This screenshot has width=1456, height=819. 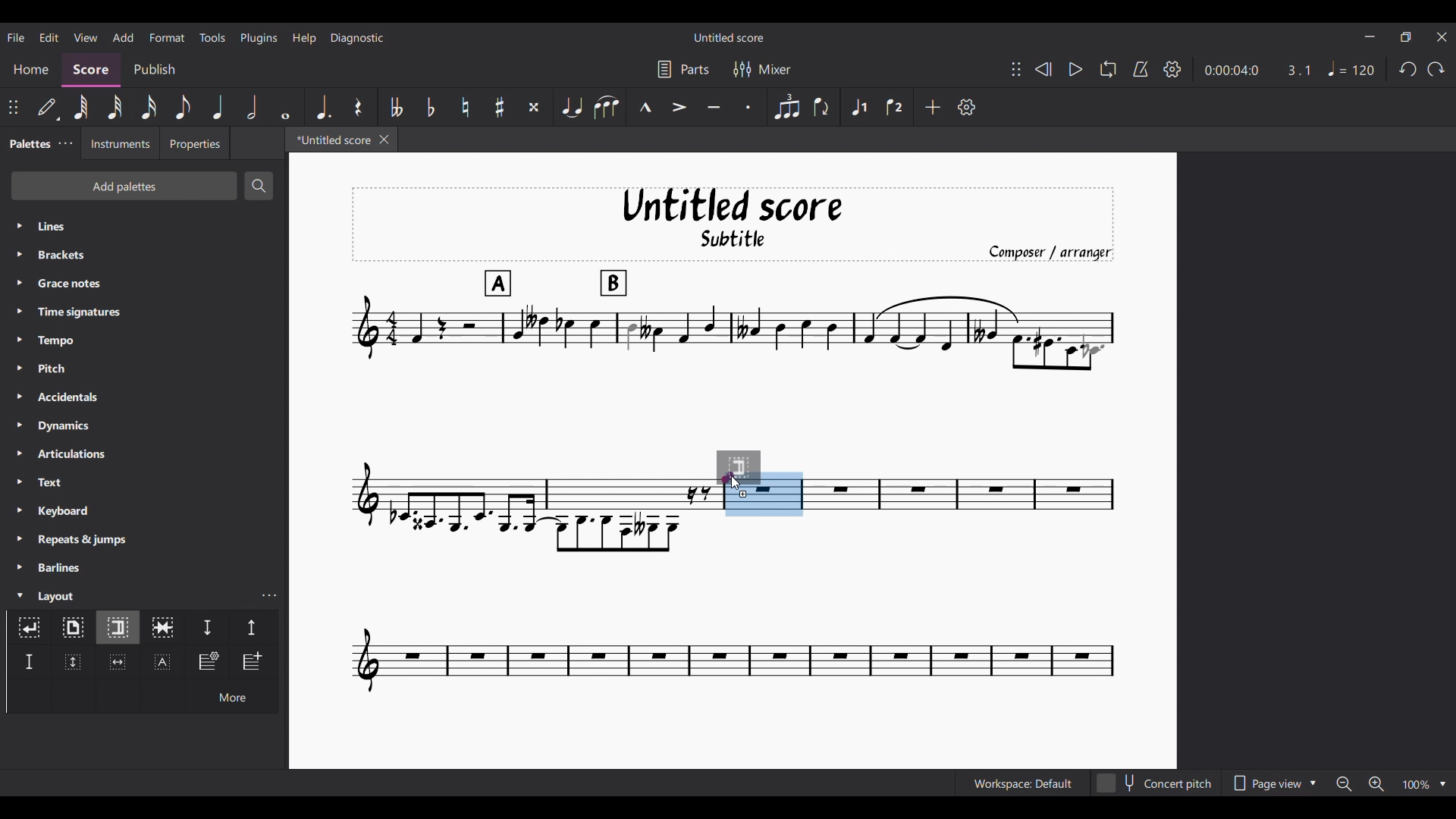 I want to click on File menu, so click(x=16, y=37).